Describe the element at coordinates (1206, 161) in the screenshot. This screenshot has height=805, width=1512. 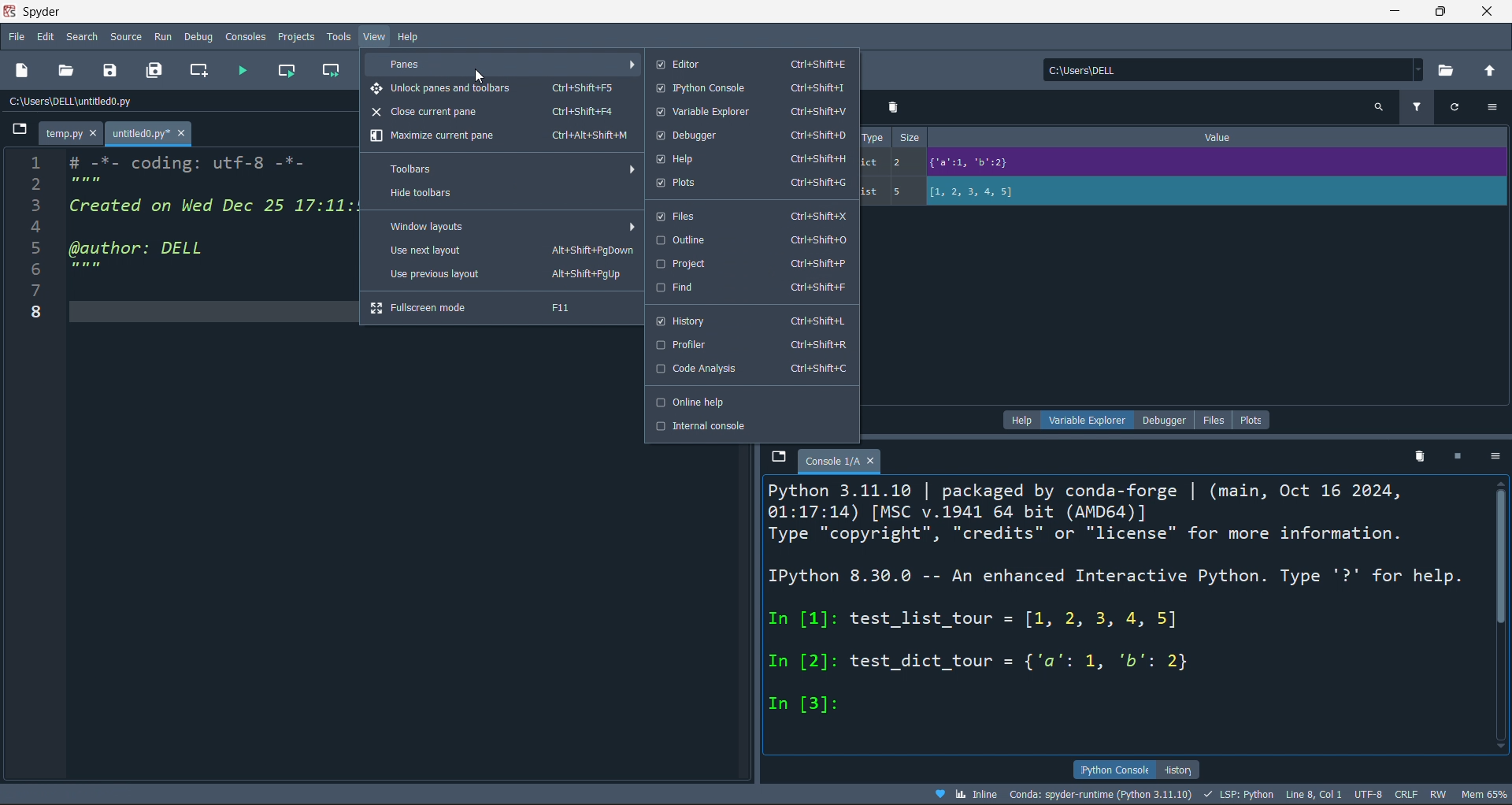
I see `value of variable` at that location.